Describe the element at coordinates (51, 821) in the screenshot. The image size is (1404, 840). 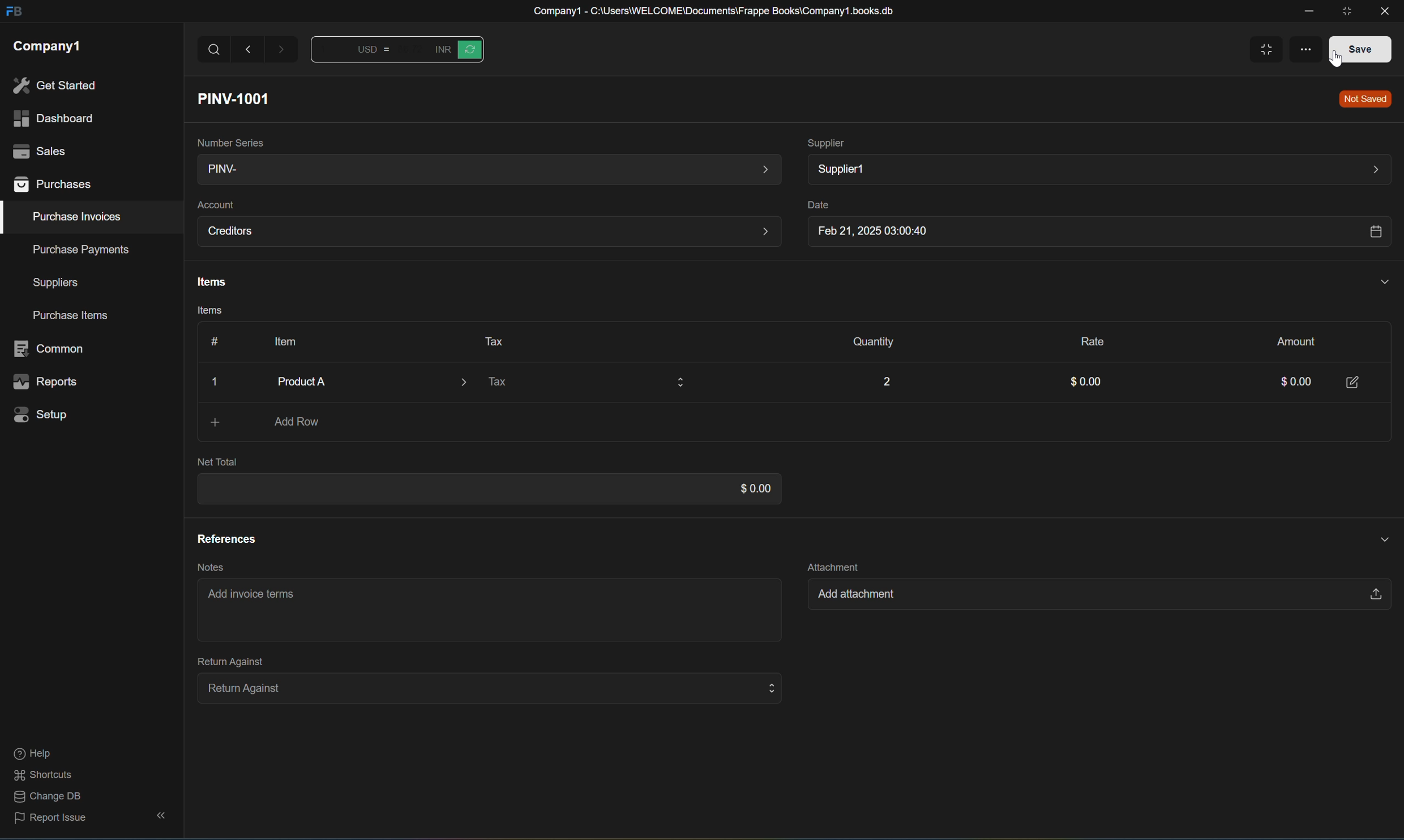
I see `report issue` at that location.